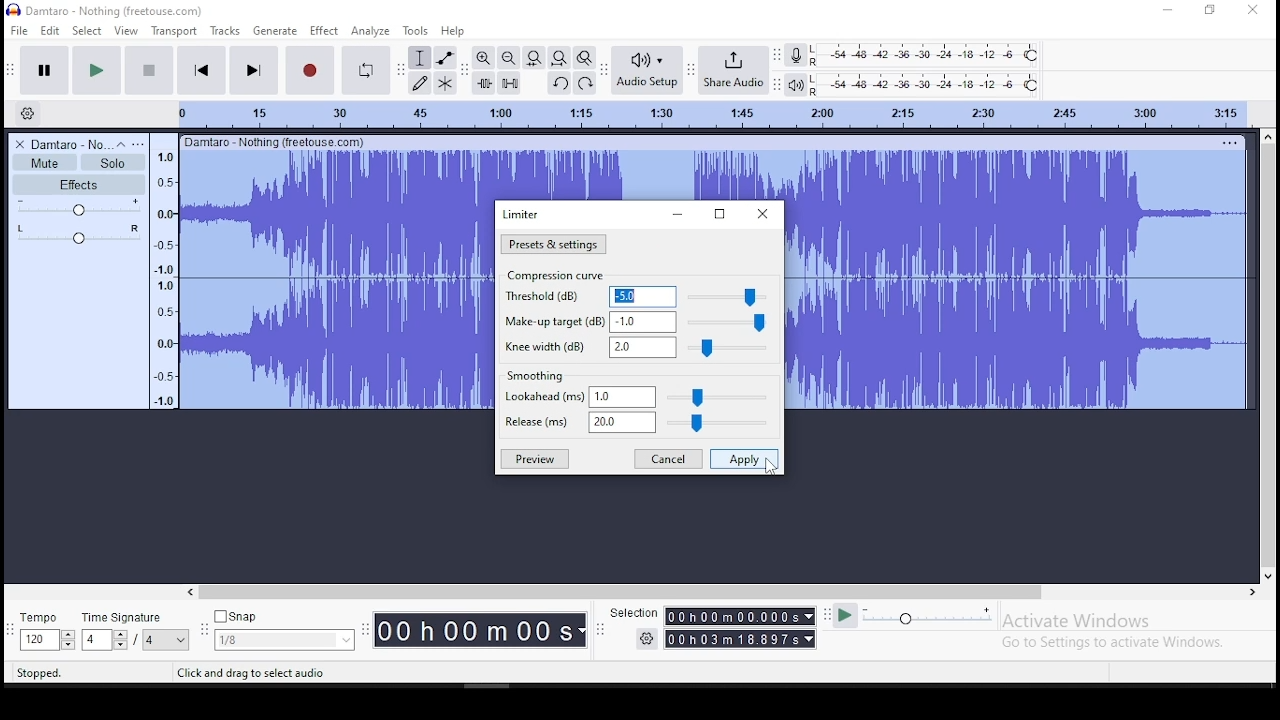  I want to click on settings, so click(646, 640).